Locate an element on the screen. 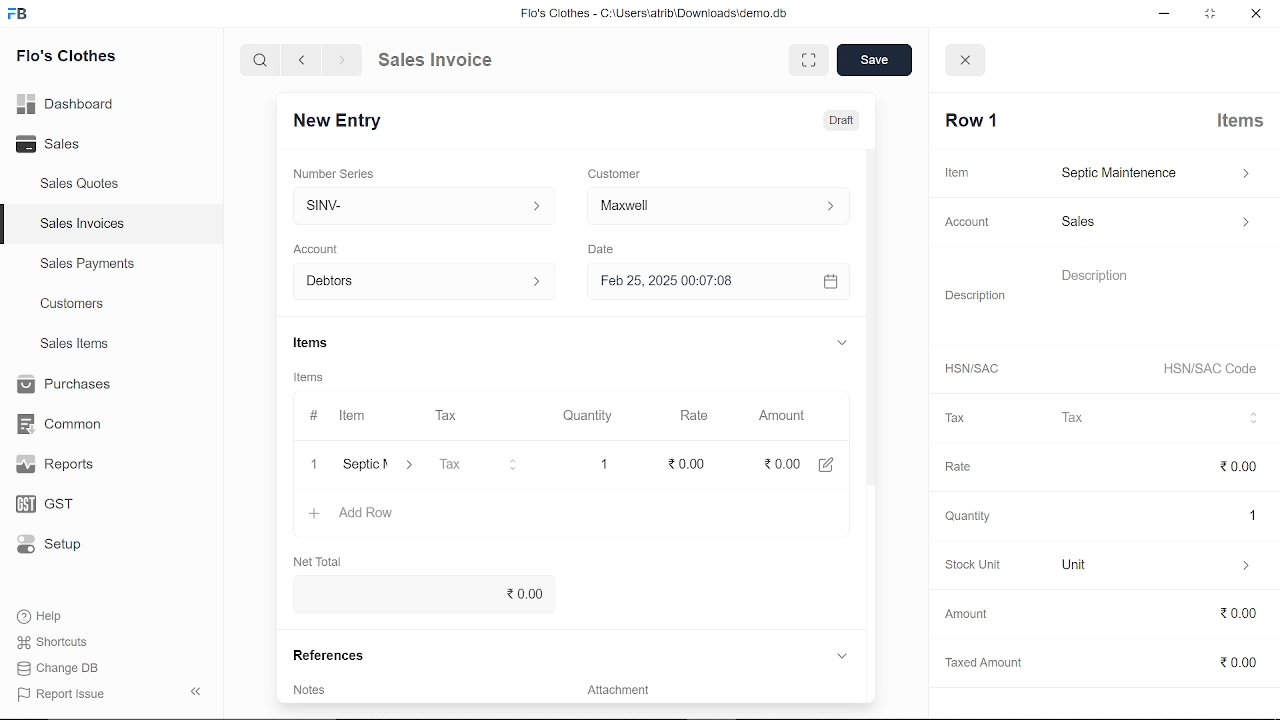   Quantity is located at coordinates (579, 416).